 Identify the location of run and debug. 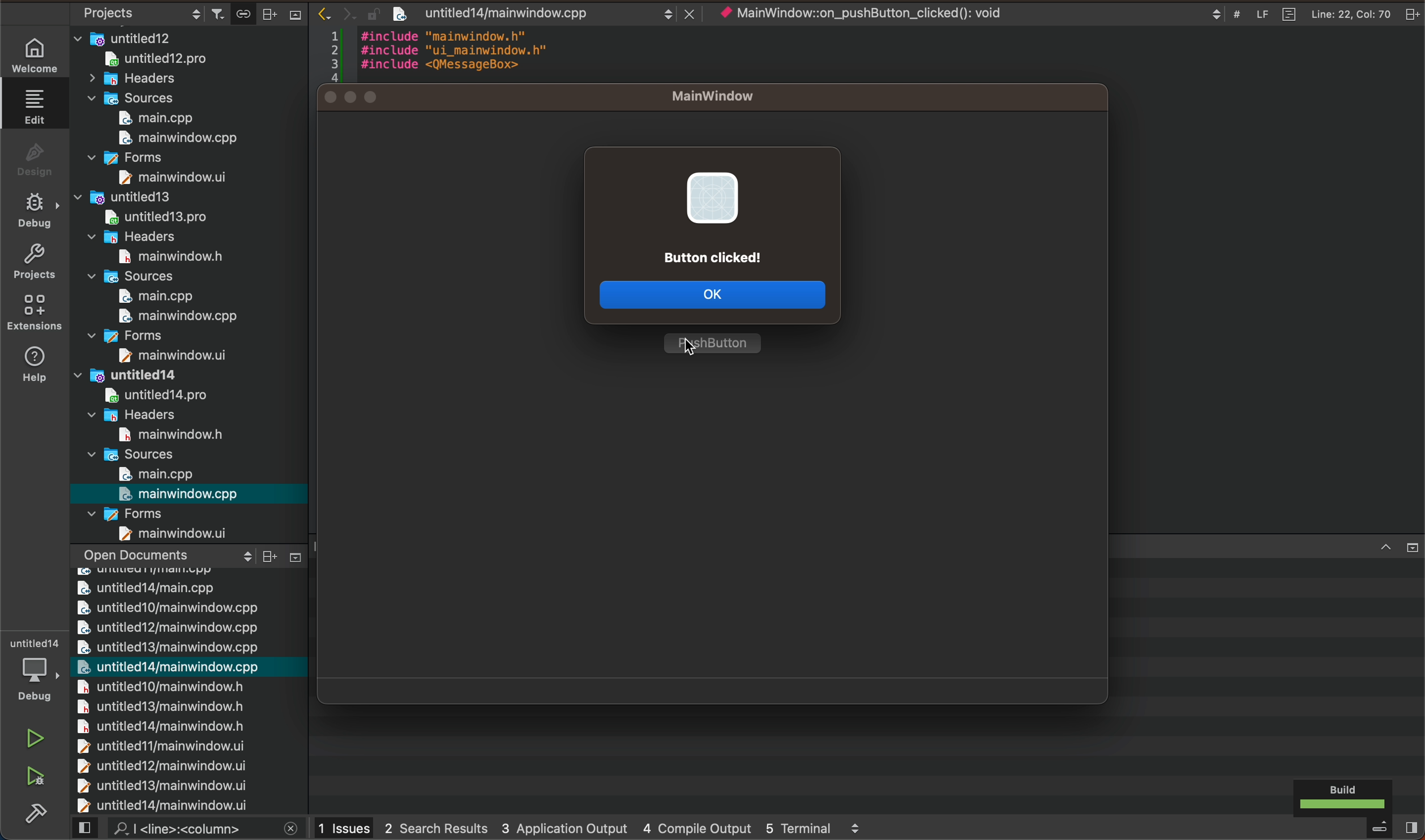
(36, 777).